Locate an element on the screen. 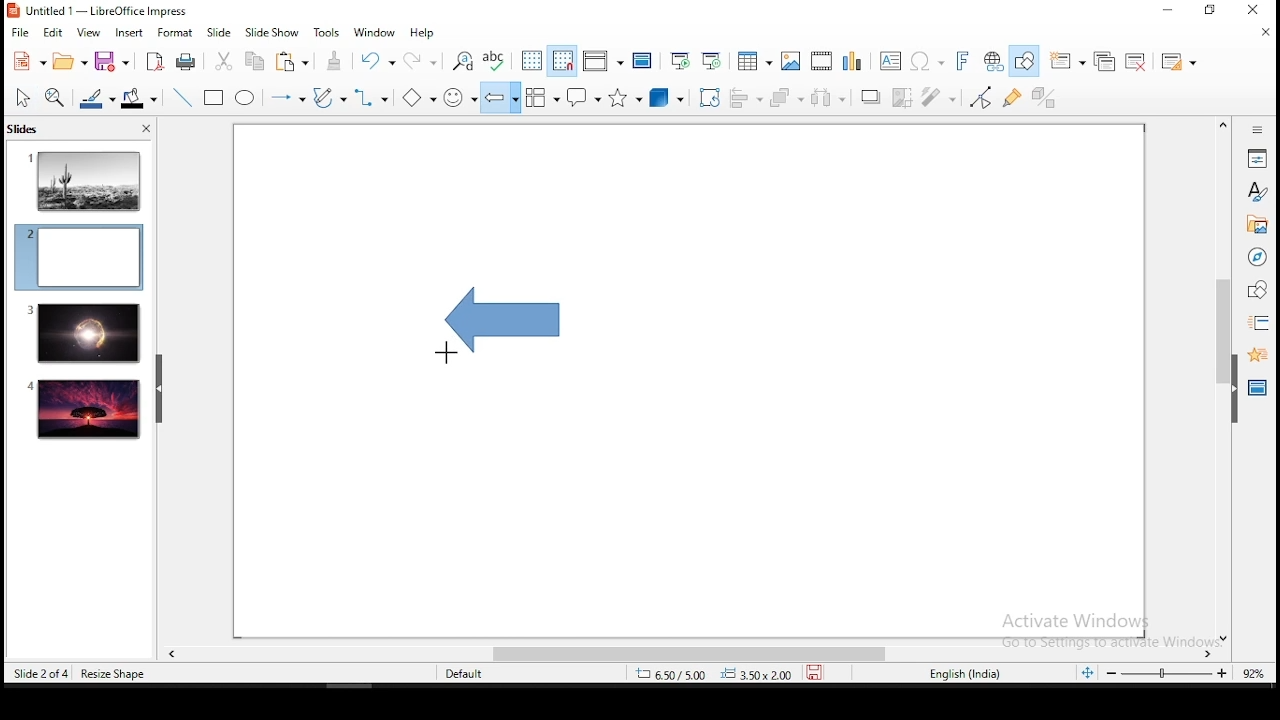 This screenshot has height=720, width=1280. view is located at coordinates (89, 32).